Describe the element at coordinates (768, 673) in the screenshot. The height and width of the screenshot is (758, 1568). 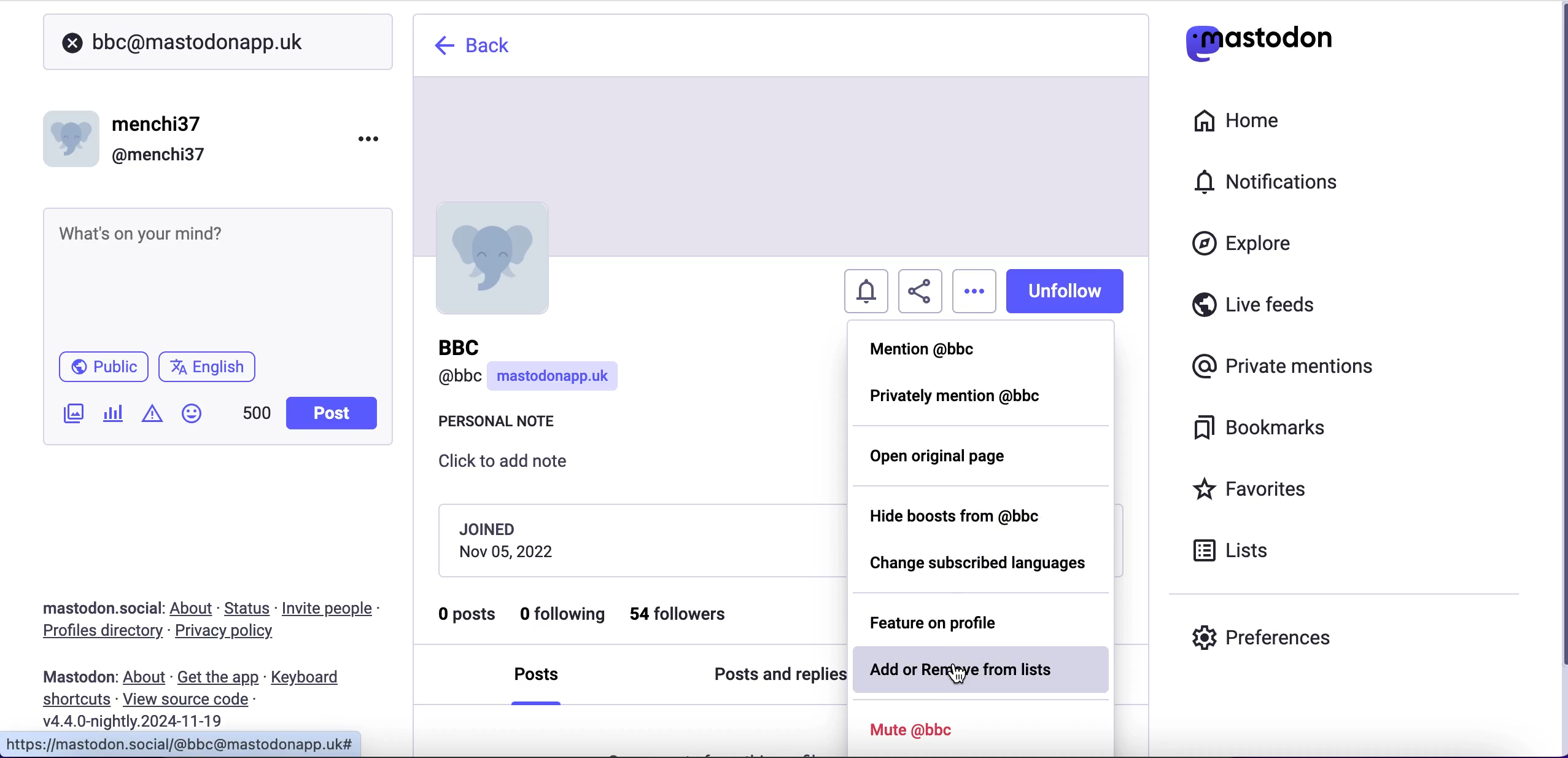
I see `posts and replies` at that location.